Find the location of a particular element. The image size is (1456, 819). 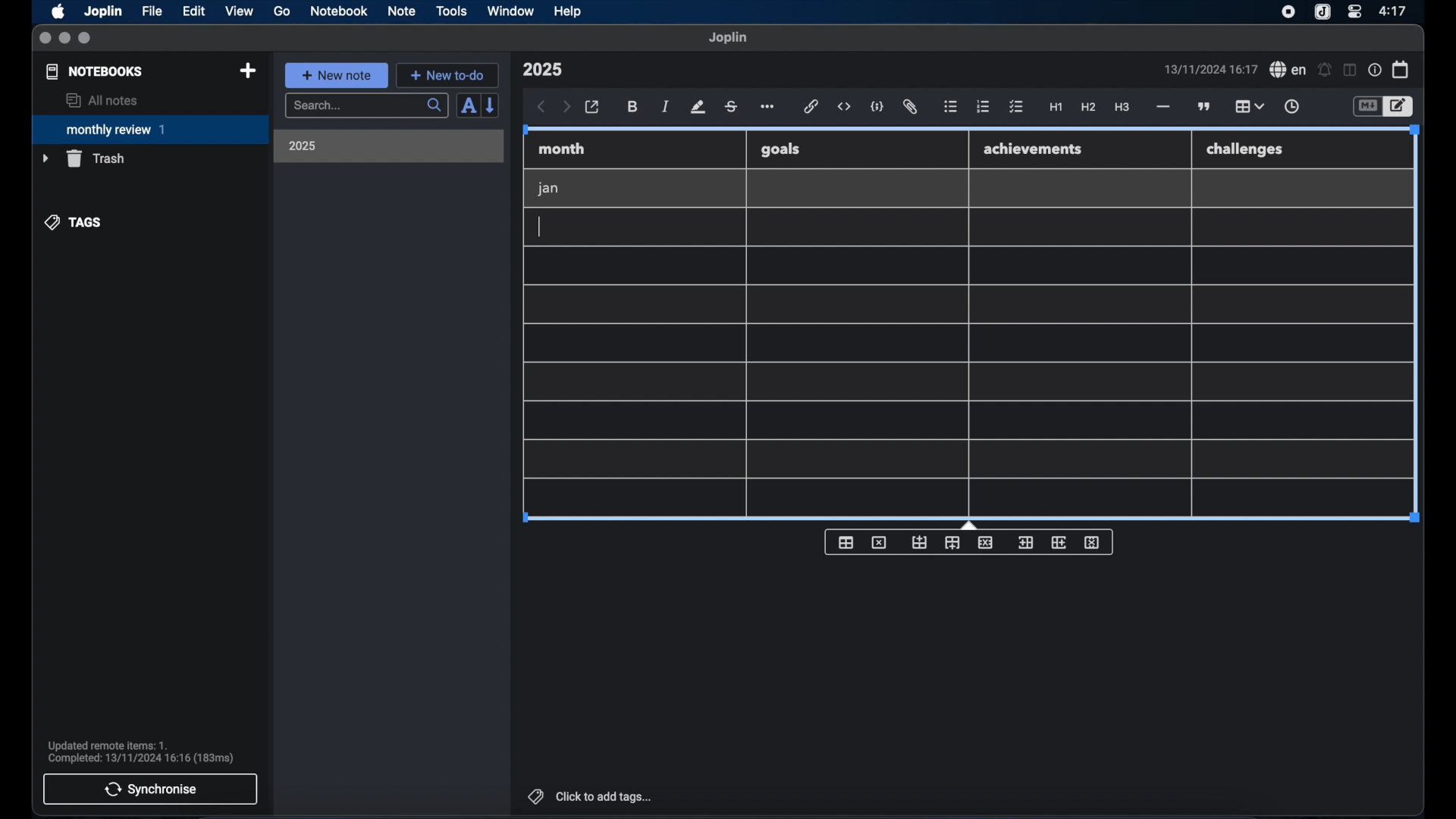

click to add tags is located at coordinates (591, 796).